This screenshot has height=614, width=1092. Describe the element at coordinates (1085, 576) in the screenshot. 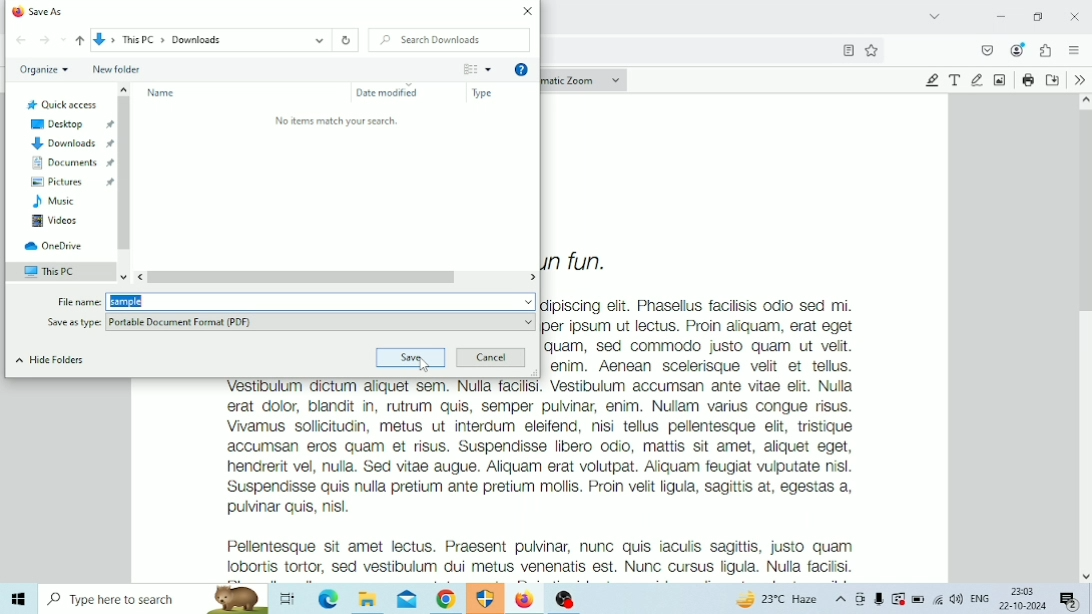

I see `Scroll down` at that location.